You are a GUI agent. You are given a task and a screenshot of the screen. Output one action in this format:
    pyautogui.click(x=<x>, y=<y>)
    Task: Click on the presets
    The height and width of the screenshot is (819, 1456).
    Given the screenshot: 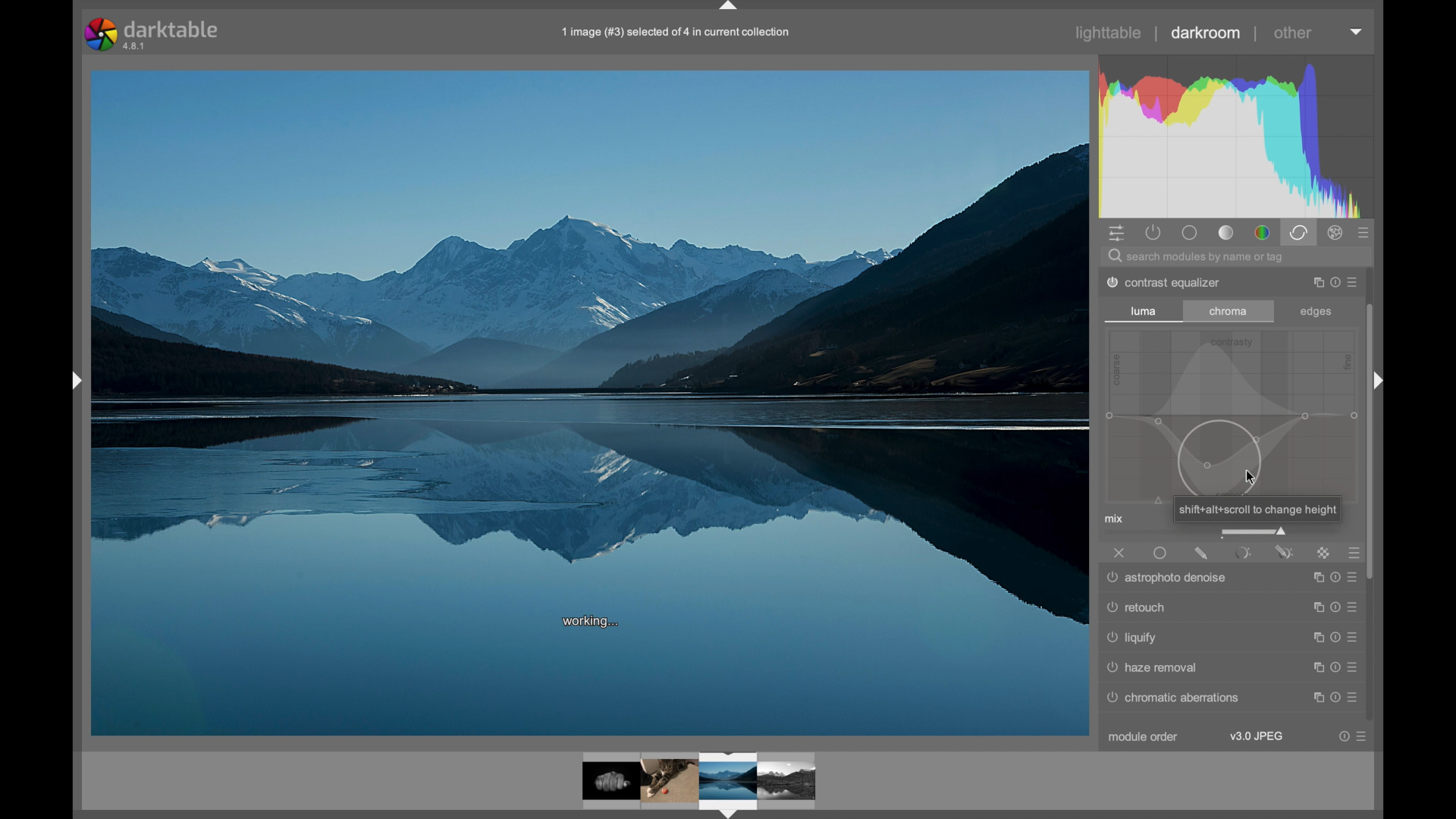 What is the action you would take?
    pyautogui.click(x=1364, y=232)
    